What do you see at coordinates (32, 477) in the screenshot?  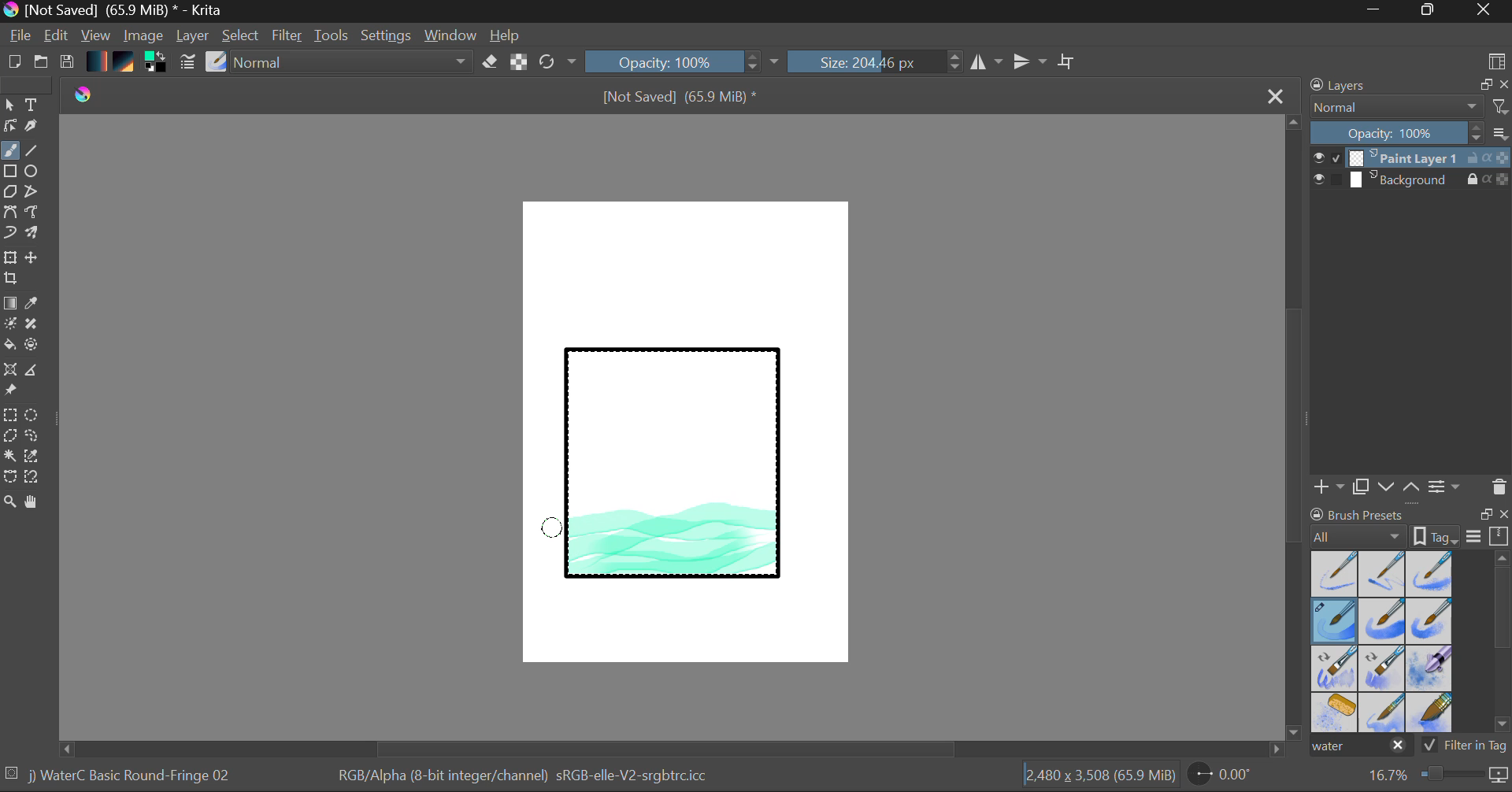 I see `Magnetic Selection Tool` at bounding box center [32, 477].